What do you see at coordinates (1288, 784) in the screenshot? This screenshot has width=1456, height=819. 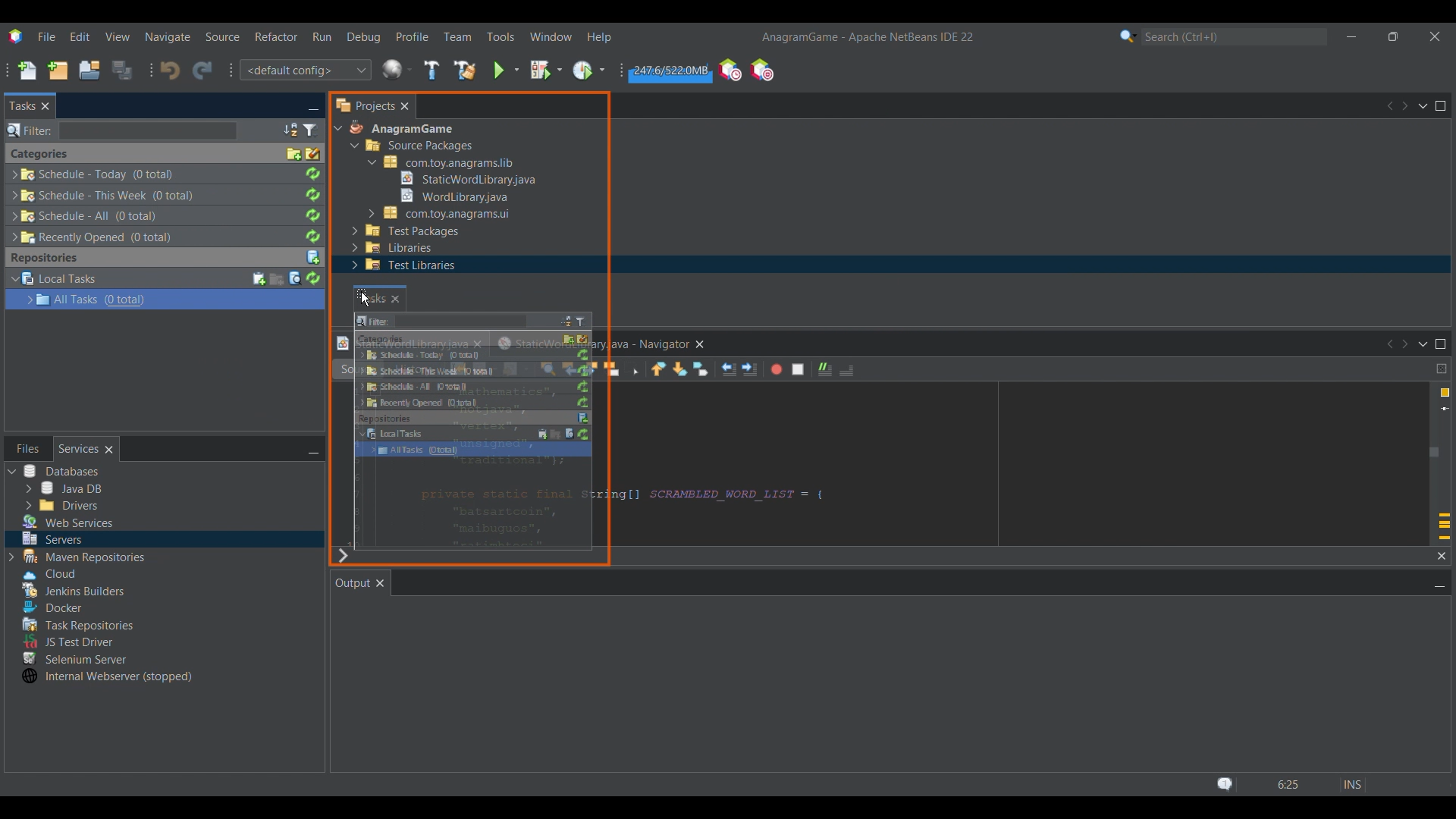 I see `Status bar details` at bounding box center [1288, 784].